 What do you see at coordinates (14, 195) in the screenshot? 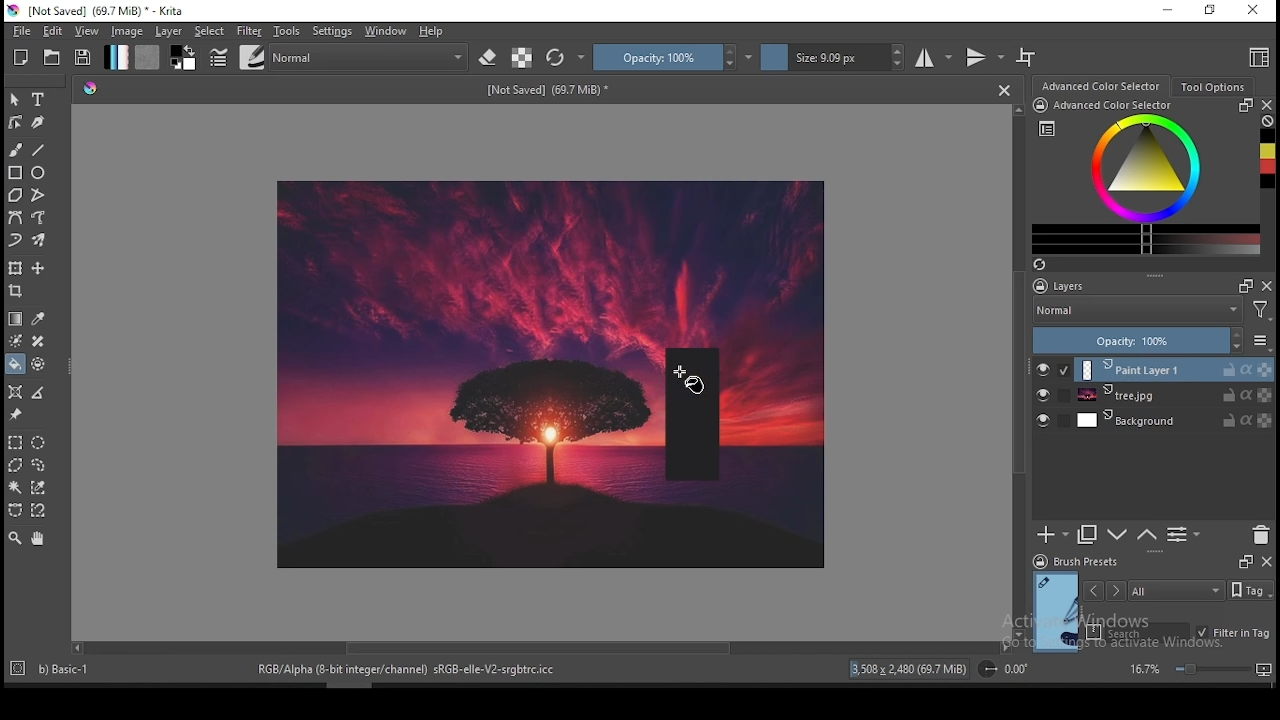
I see `polygon tool` at bounding box center [14, 195].